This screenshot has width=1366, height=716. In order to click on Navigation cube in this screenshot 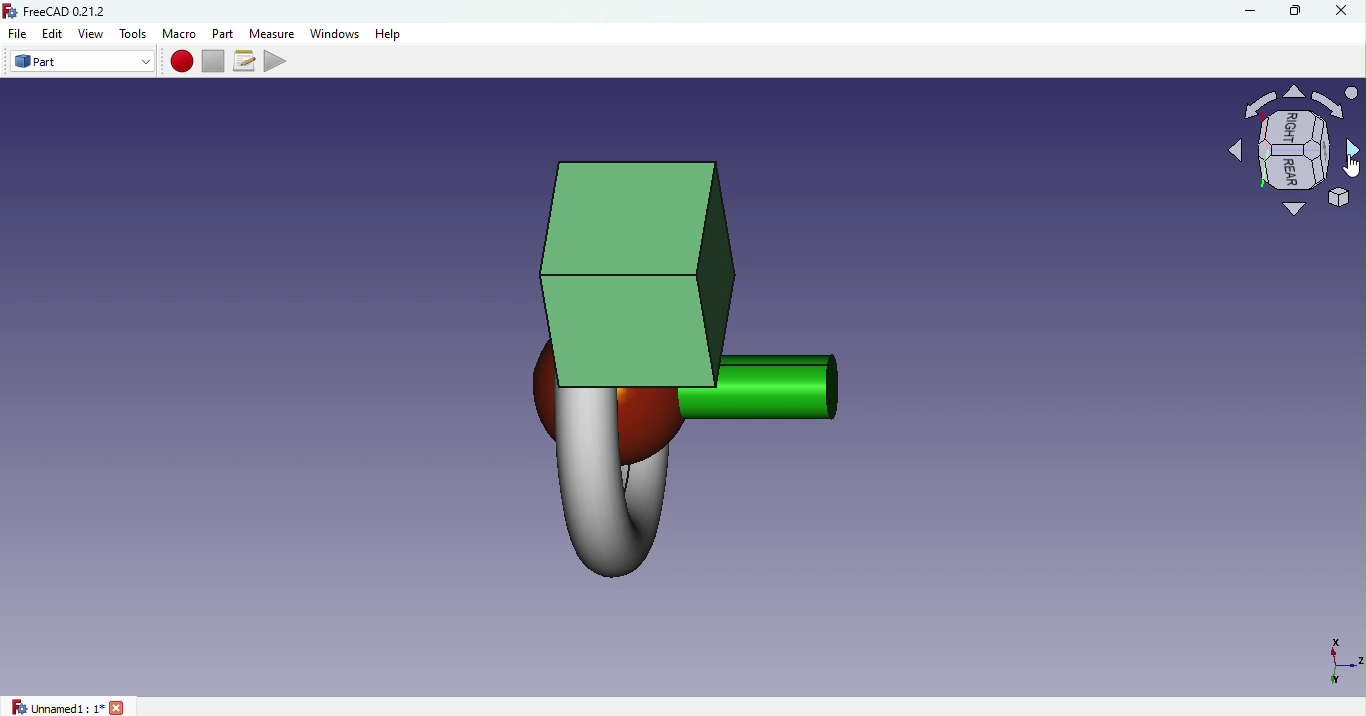, I will do `click(1283, 153)`.